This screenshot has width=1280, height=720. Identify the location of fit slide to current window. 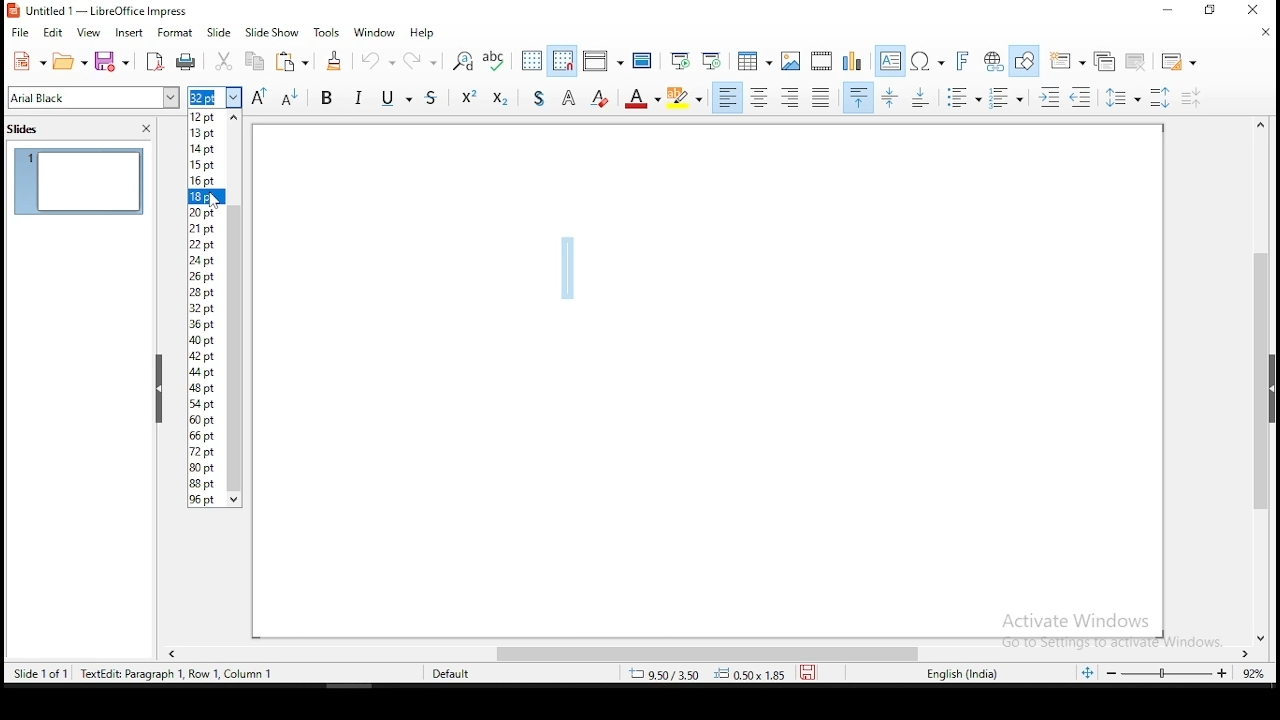
(1090, 672).